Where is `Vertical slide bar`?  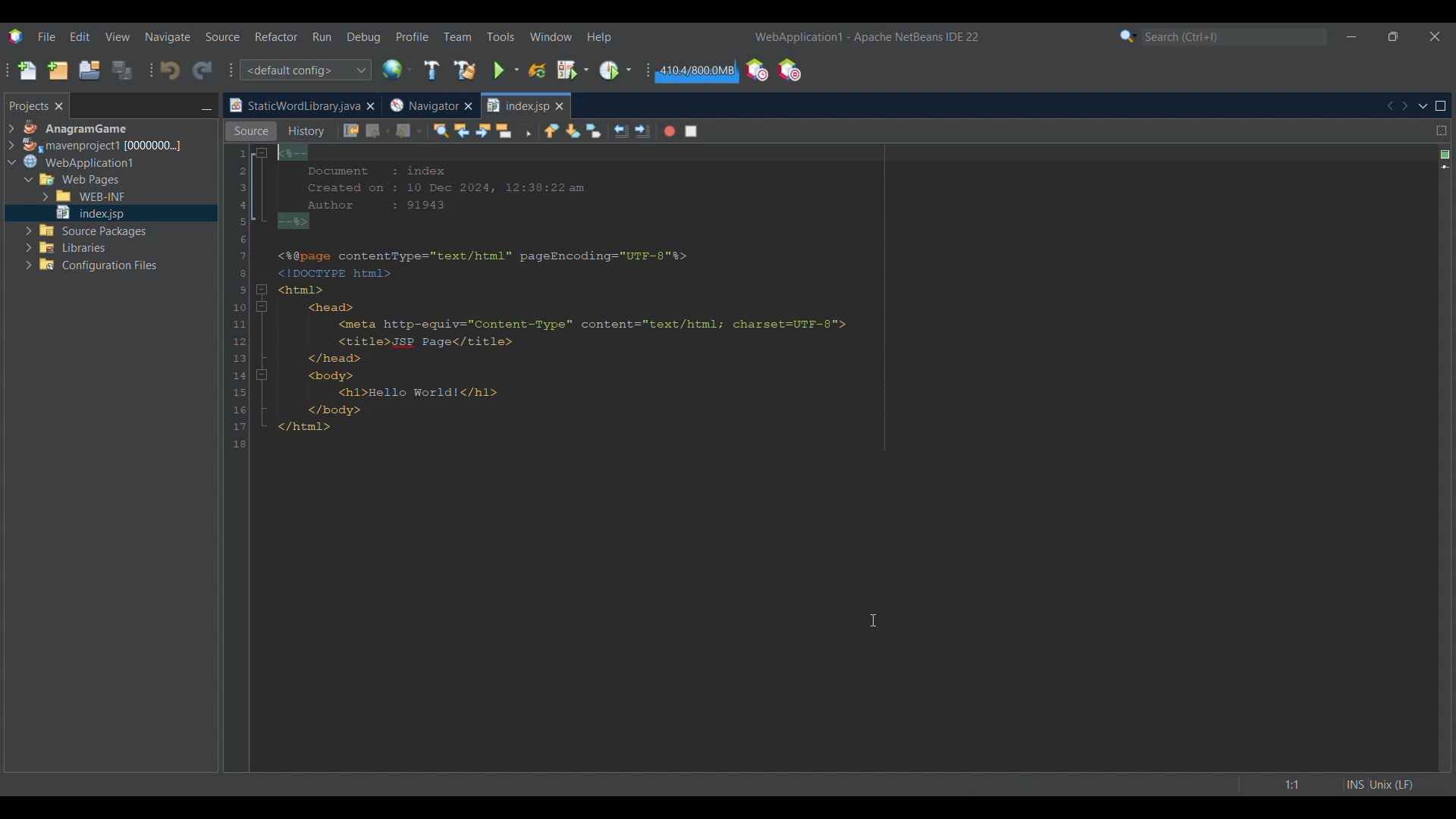 Vertical slide bar is located at coordinates (1434, 458).